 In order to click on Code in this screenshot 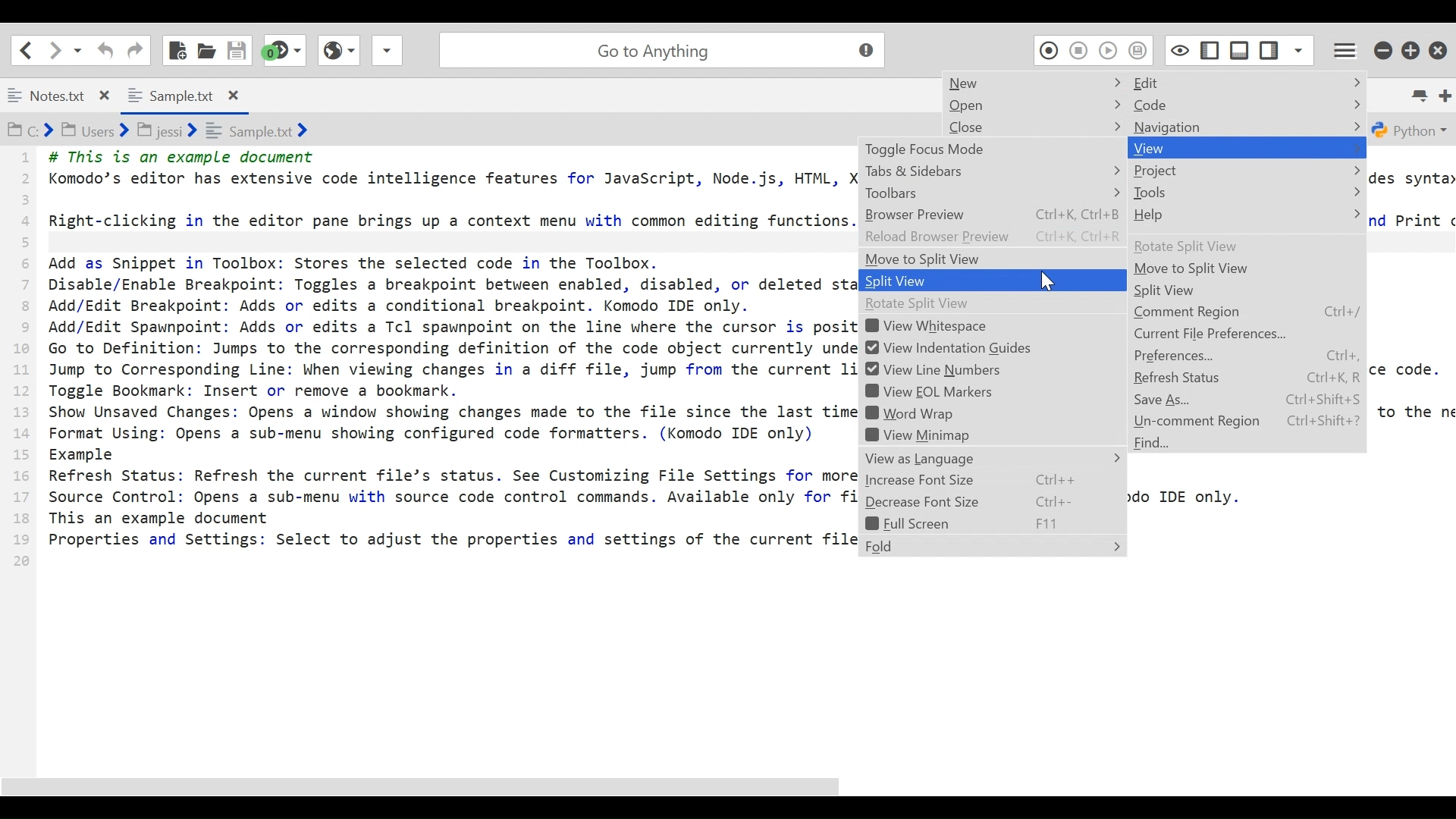, I will do `click(1248, 106)`.